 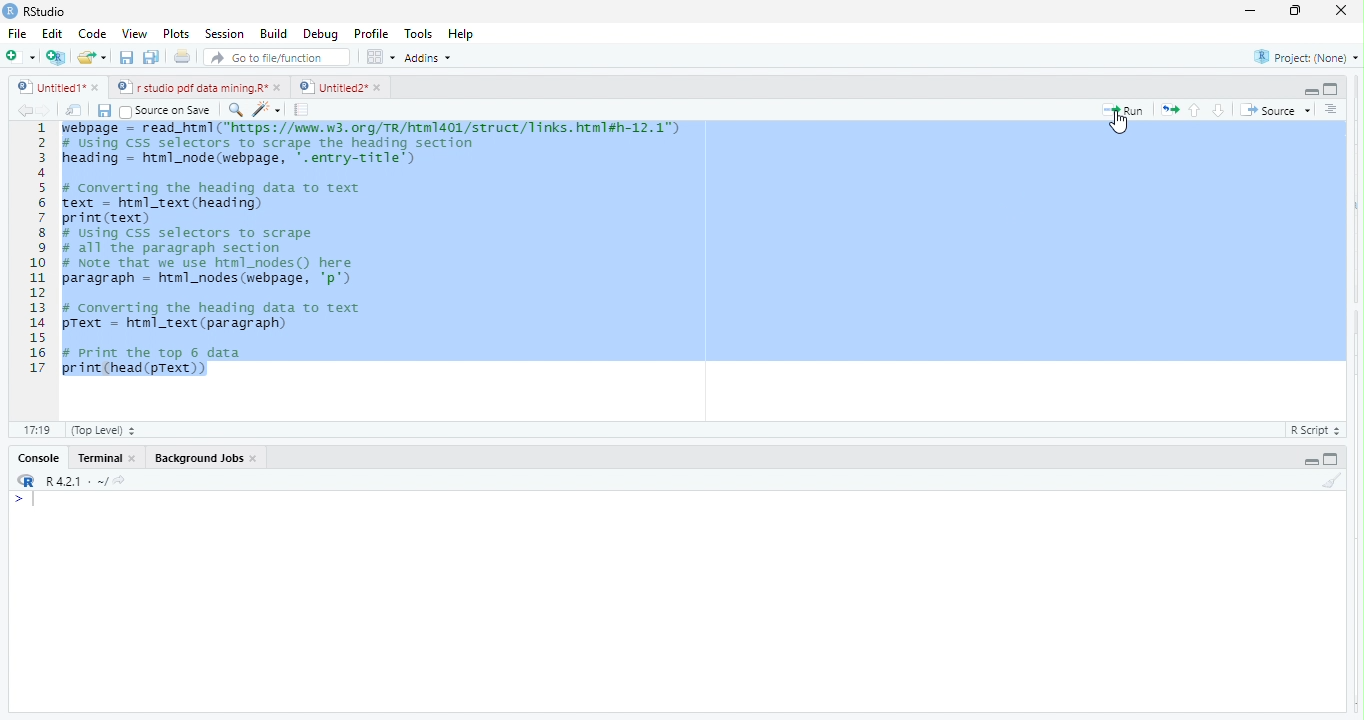 I want to click on View, so click(x=133, y=35).